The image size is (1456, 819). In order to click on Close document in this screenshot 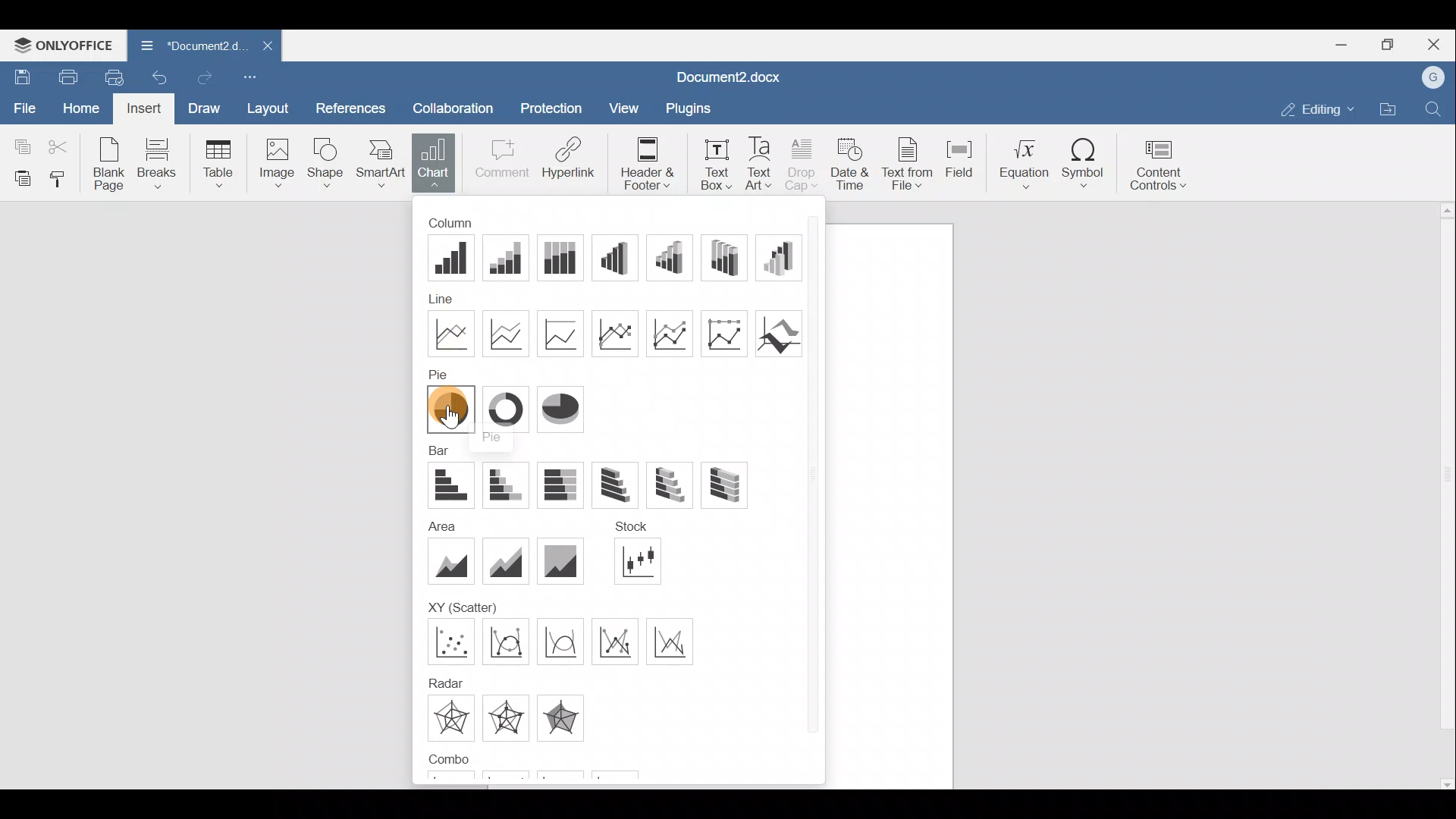, I will do `click(265, 47)`.